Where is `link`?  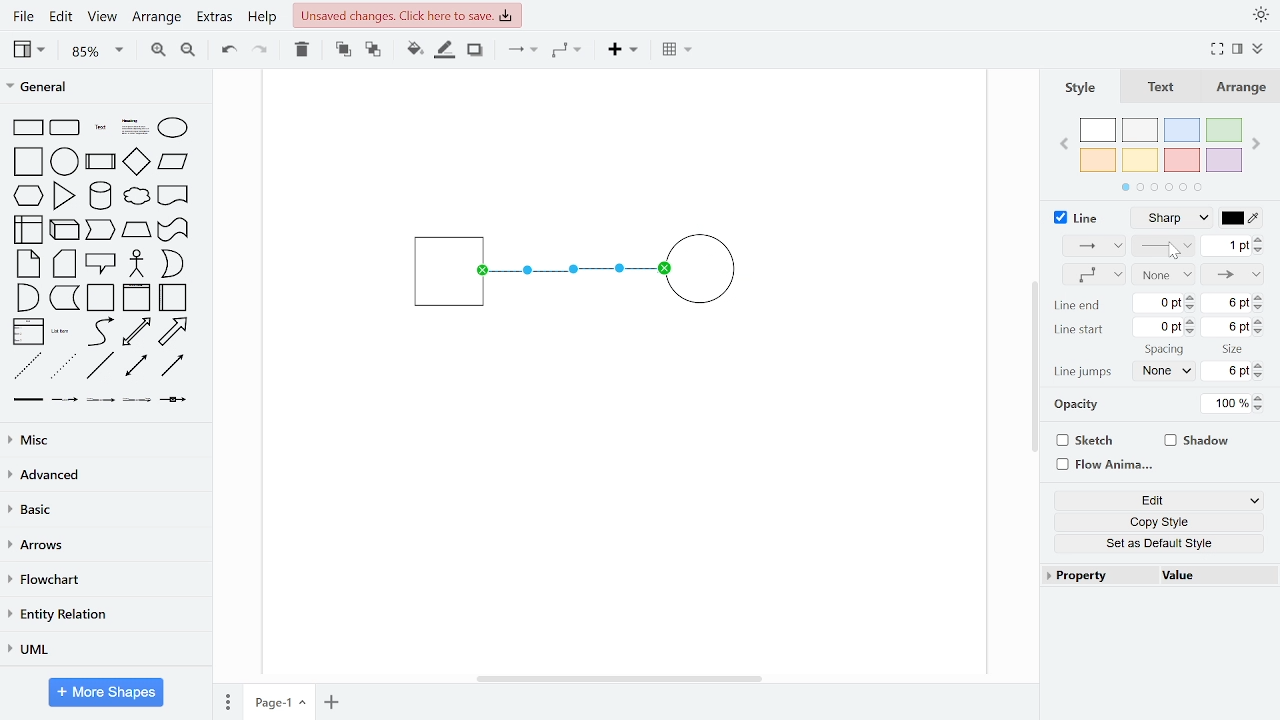
link is located at coordinates (27, 400).